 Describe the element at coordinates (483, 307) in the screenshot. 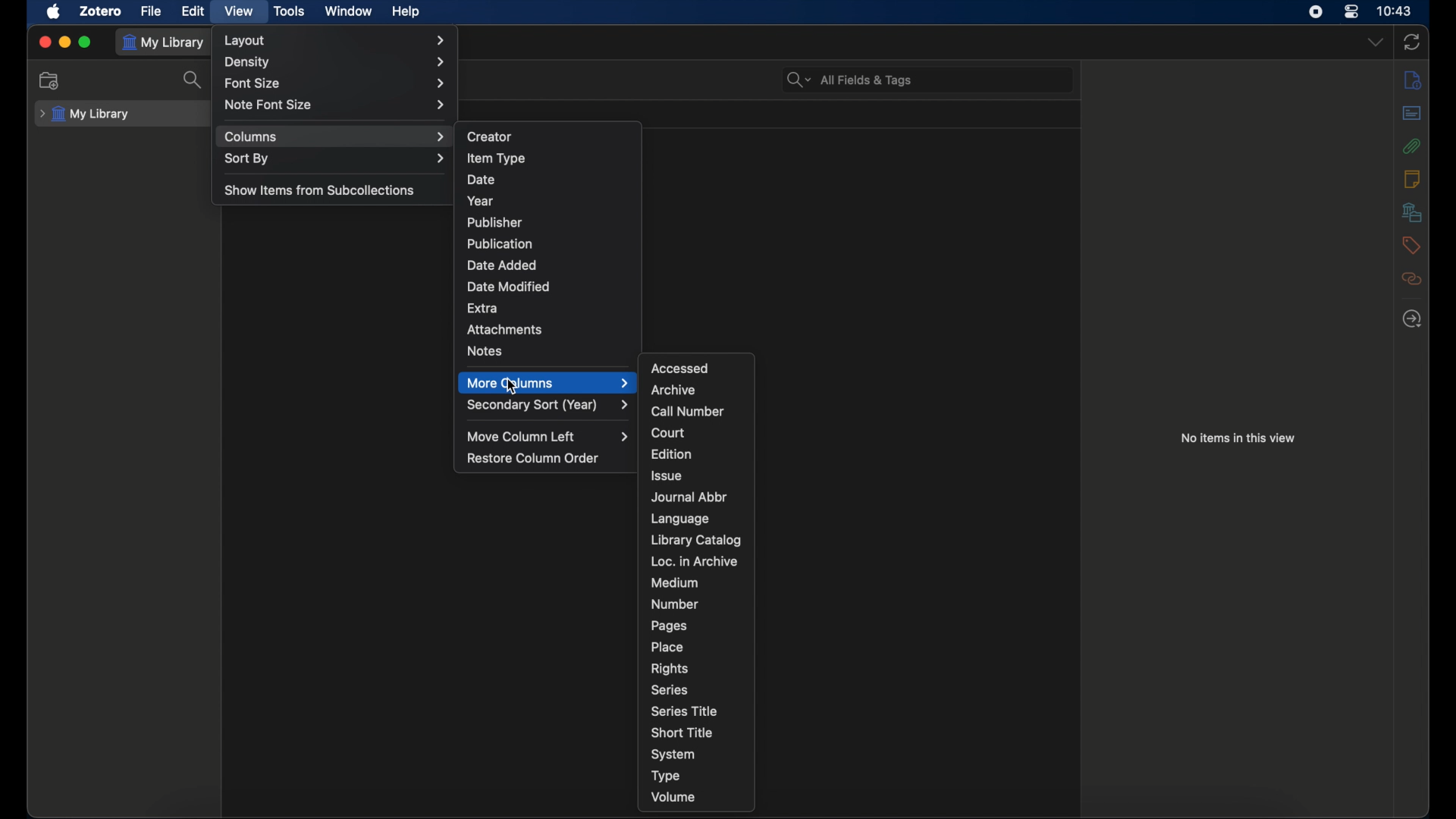

I see `extra` at that location.